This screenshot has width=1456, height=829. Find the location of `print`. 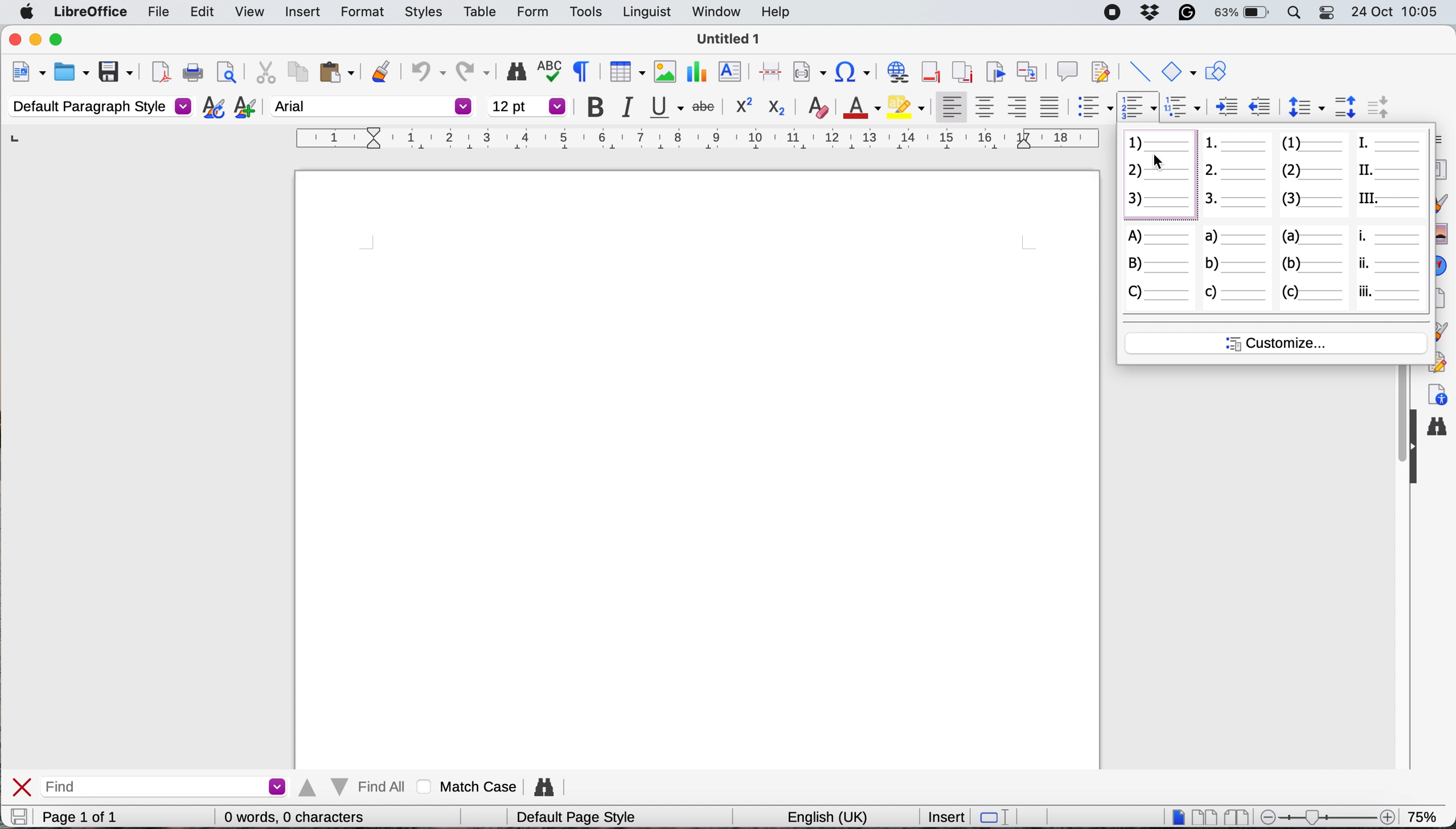

print is located at coordinates (194, 73).